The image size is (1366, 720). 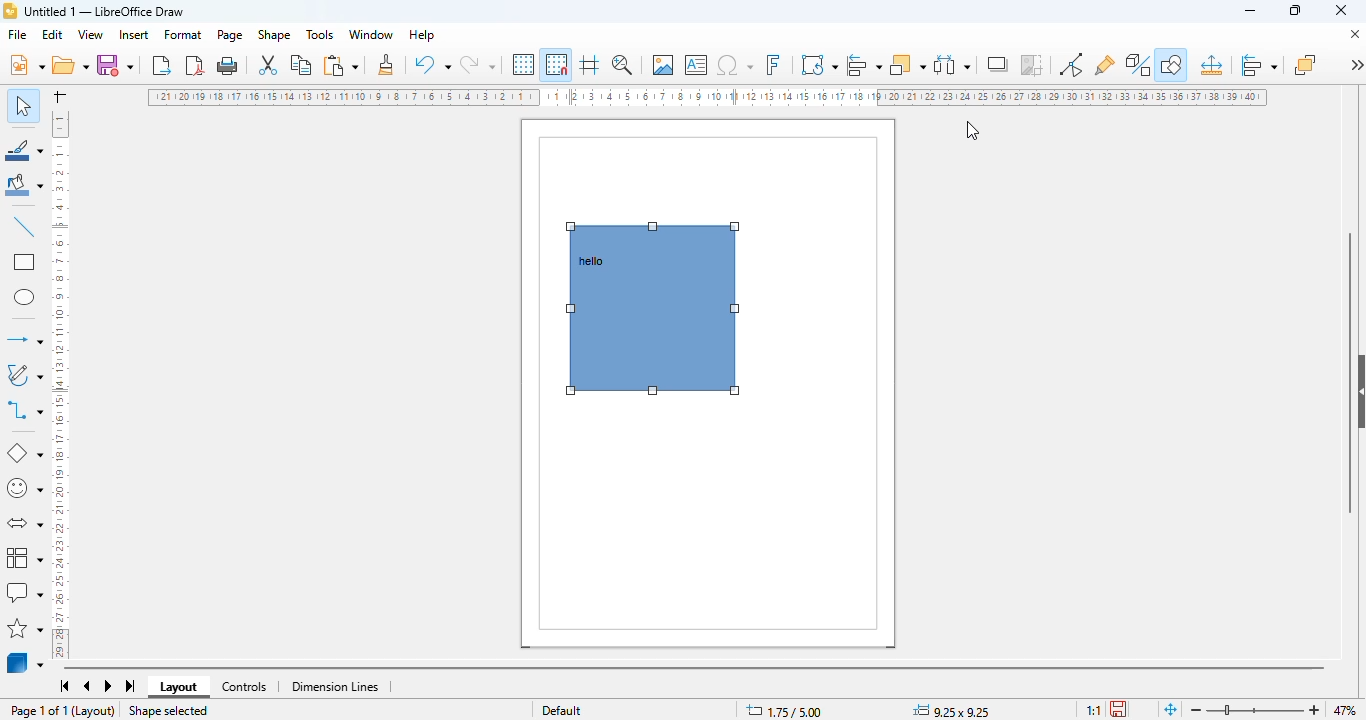 I want to click on connectors, so click(x=25, y=410).